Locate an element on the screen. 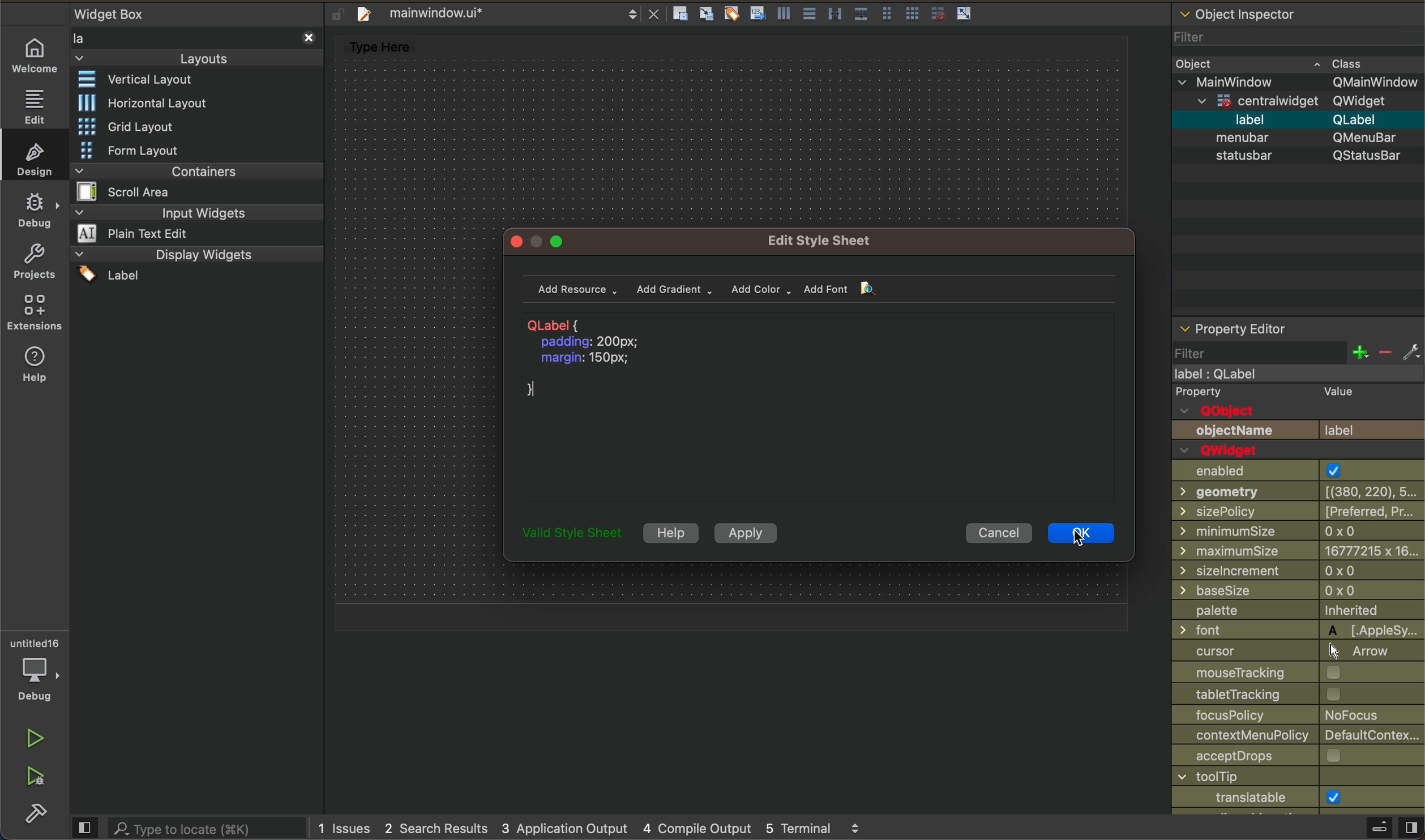 The width and height of the screenshot is (1425, 840). window title is located at coordinates (1286, 778).